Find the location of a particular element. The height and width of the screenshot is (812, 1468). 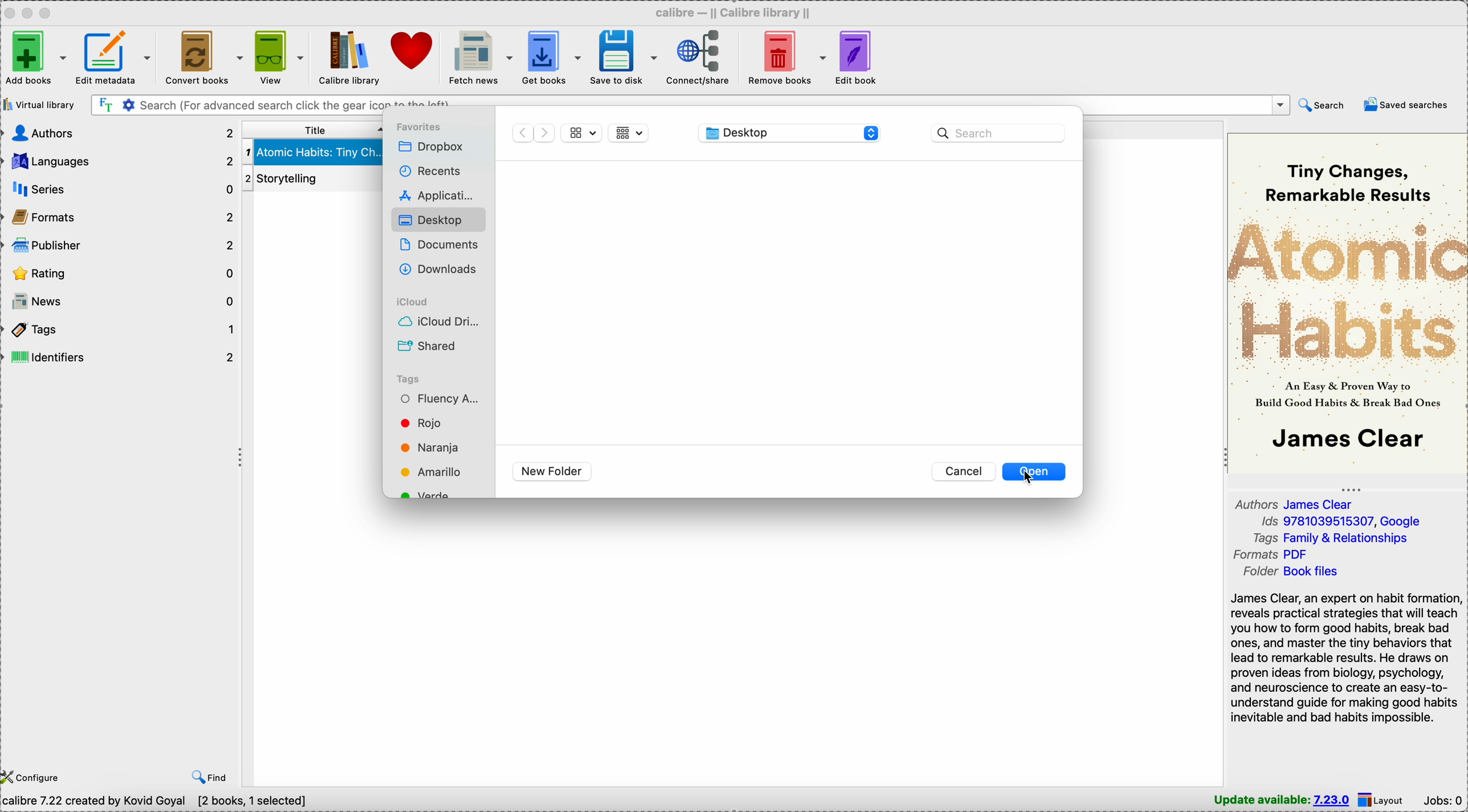

edit book is located at coordinates (861, 55).